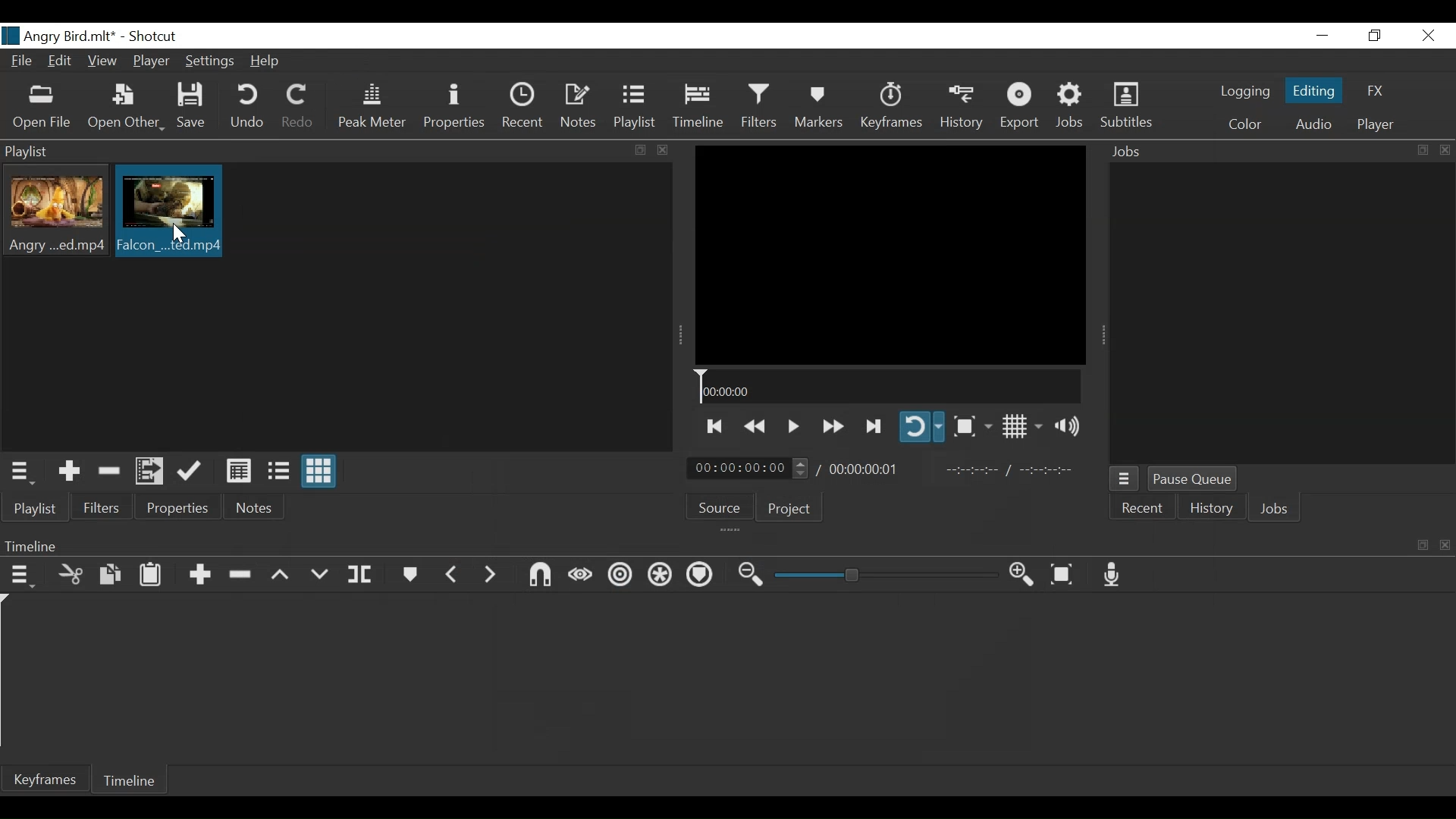  What do you see at coordinates (111, 471) in the screenshot?
I see `Remove Cut` at bounding box center [111, 471].